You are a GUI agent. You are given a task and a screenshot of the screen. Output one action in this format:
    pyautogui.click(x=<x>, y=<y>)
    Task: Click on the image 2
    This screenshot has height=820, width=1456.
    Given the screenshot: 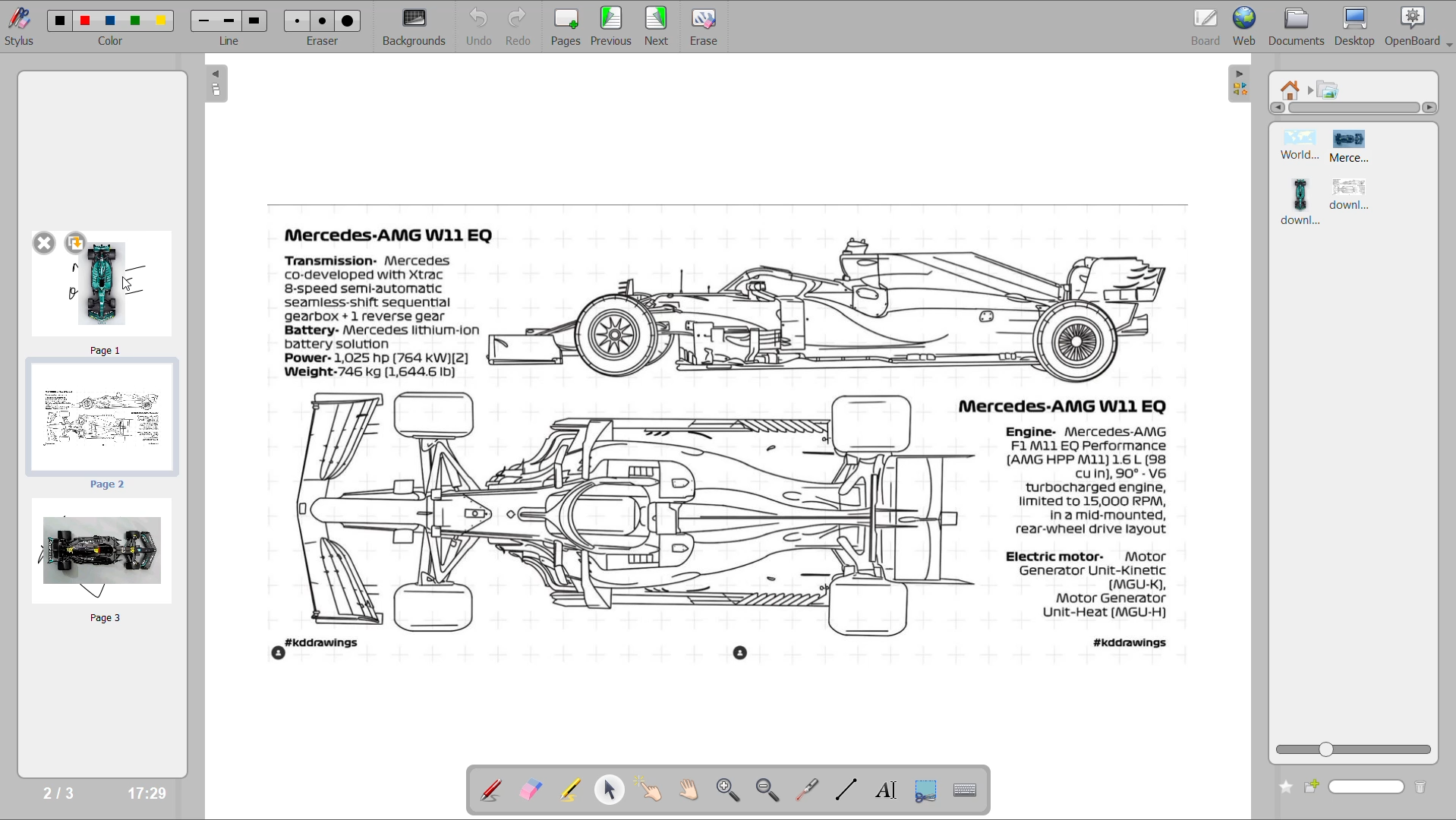 What is the action you would take?
    pyautogui.click(x=1363, y=147)
    